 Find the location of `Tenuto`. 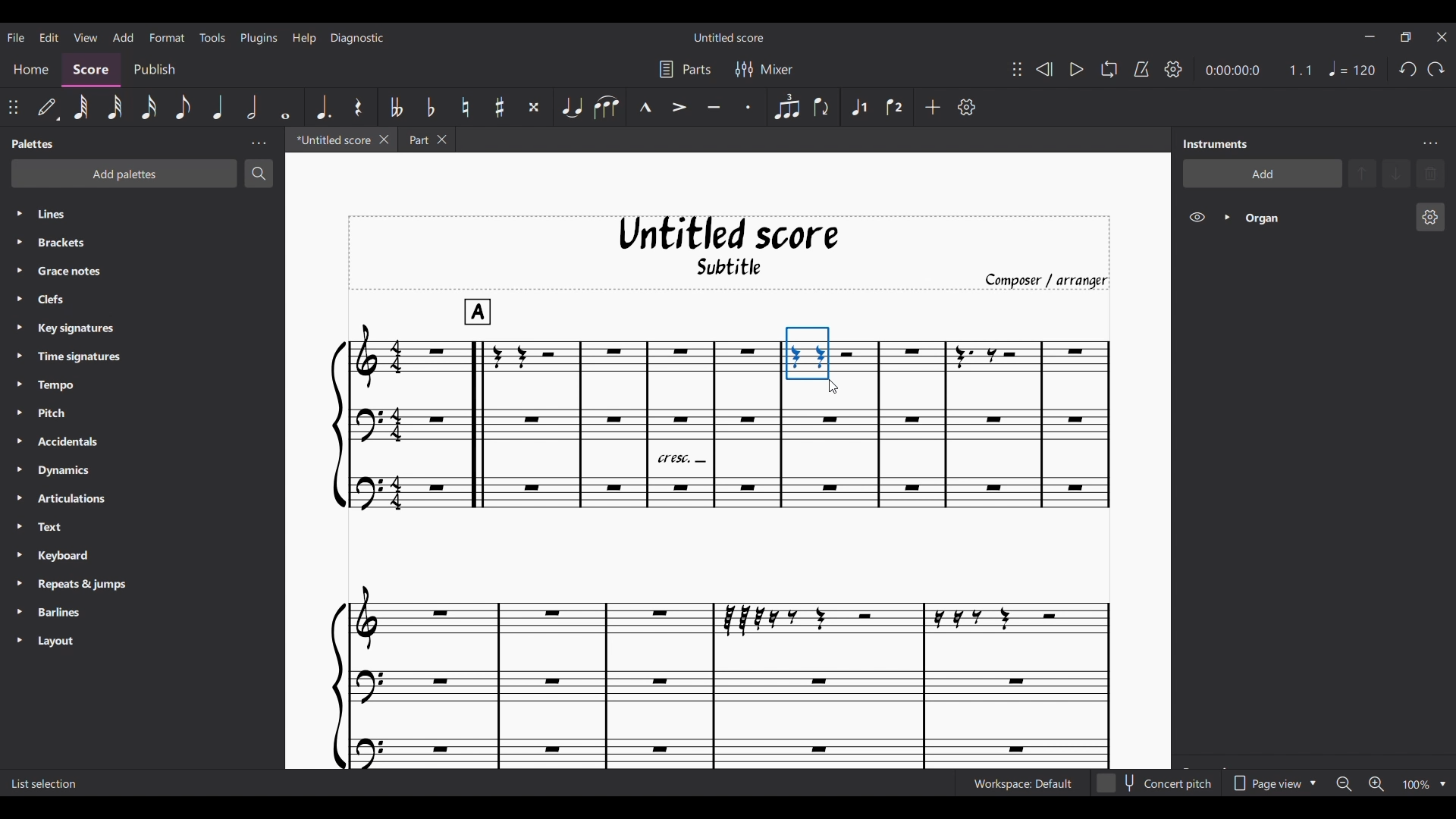

Tenuto is located at coordinates (714, 108).